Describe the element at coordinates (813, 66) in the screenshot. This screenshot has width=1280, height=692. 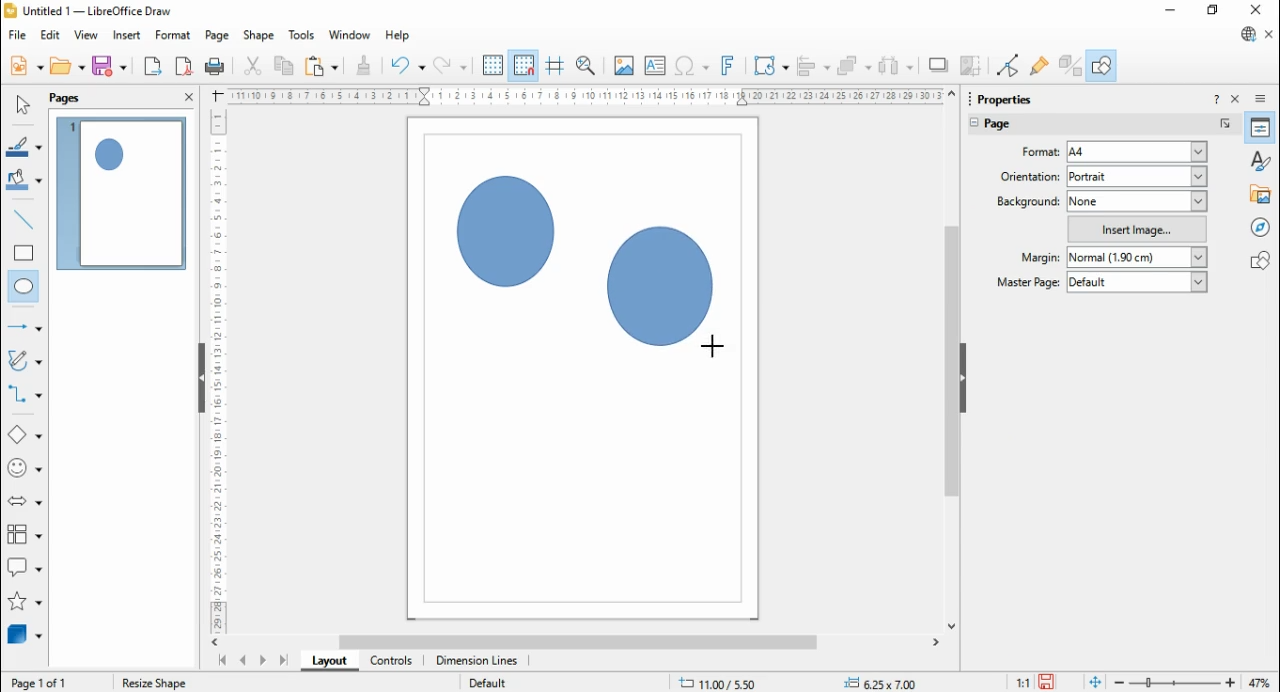
I see `align  objects` at that location.